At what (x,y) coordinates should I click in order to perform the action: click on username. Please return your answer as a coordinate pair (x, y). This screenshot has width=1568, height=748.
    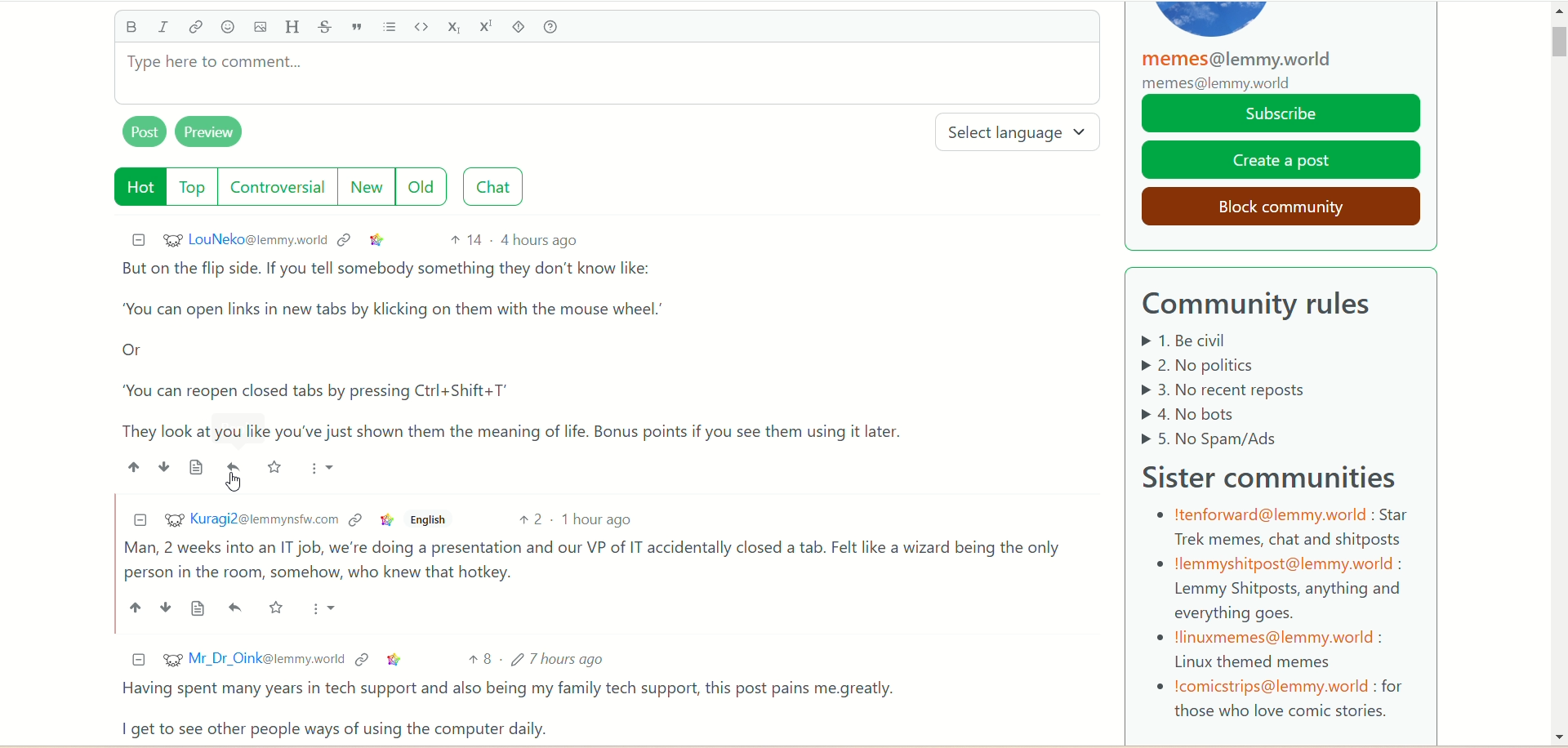
    Looking at the image, I should click on (252, 661).